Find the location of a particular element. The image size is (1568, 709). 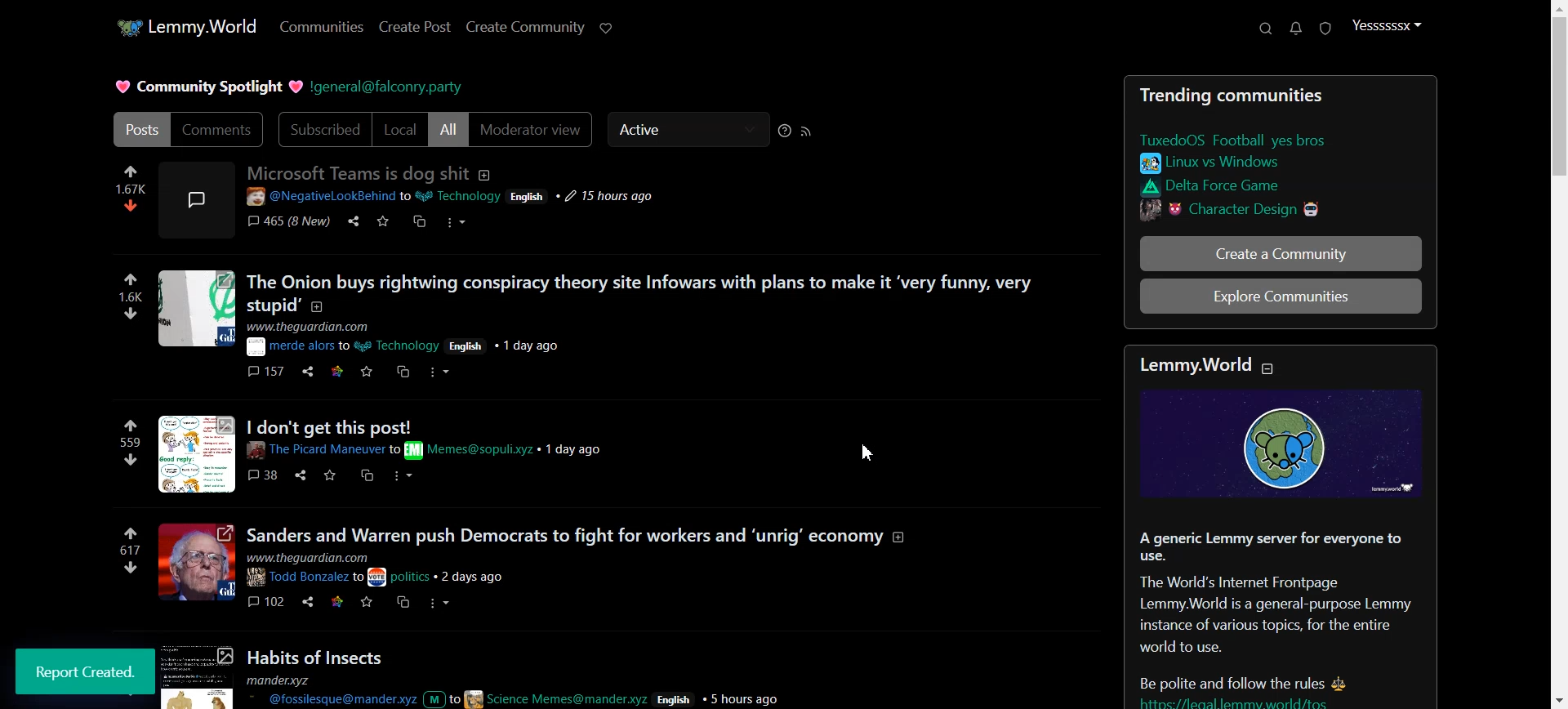

link is located at coordinates (1243, 187).